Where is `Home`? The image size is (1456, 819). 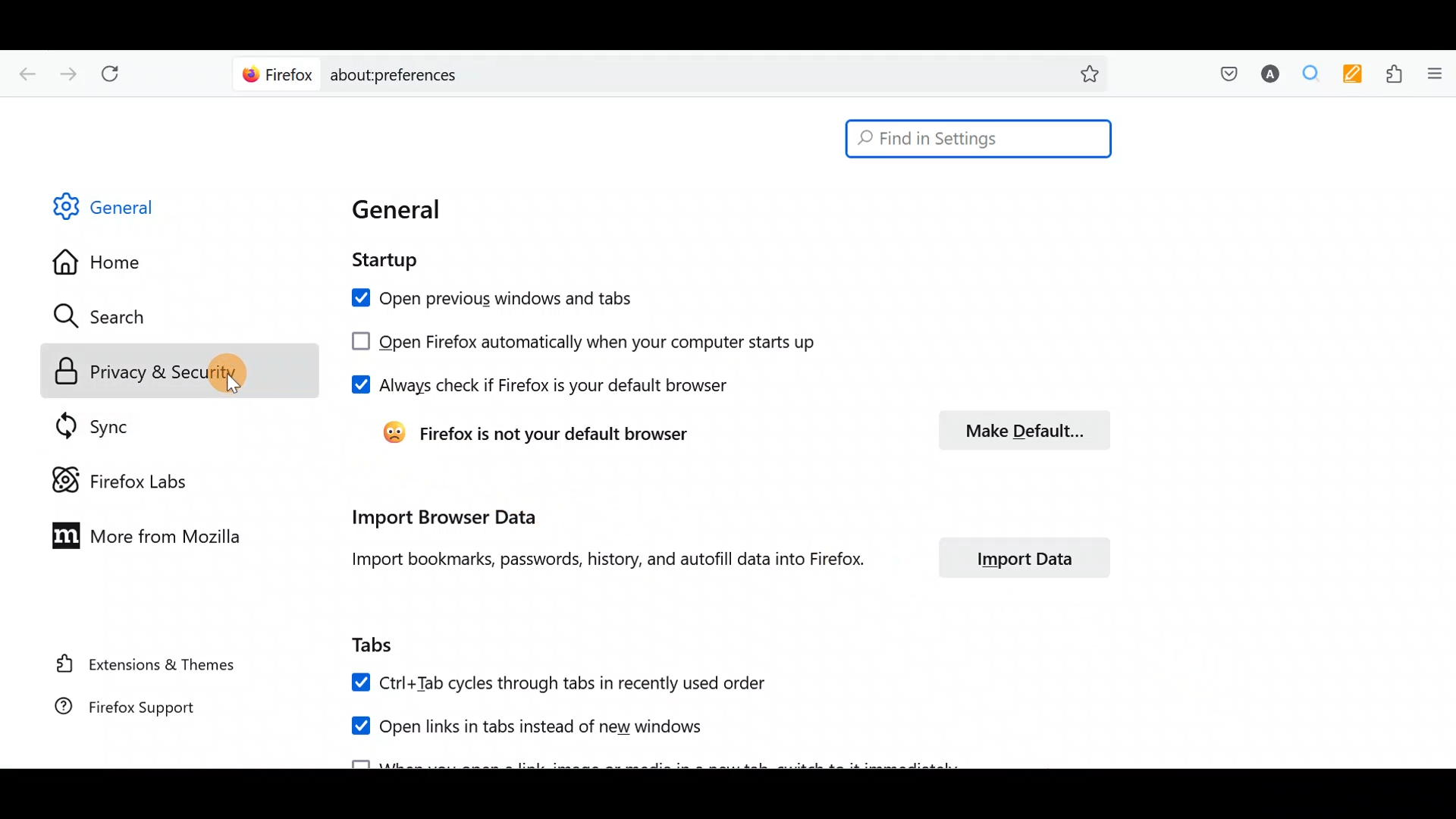
Home is located at coordinates (112, 262).